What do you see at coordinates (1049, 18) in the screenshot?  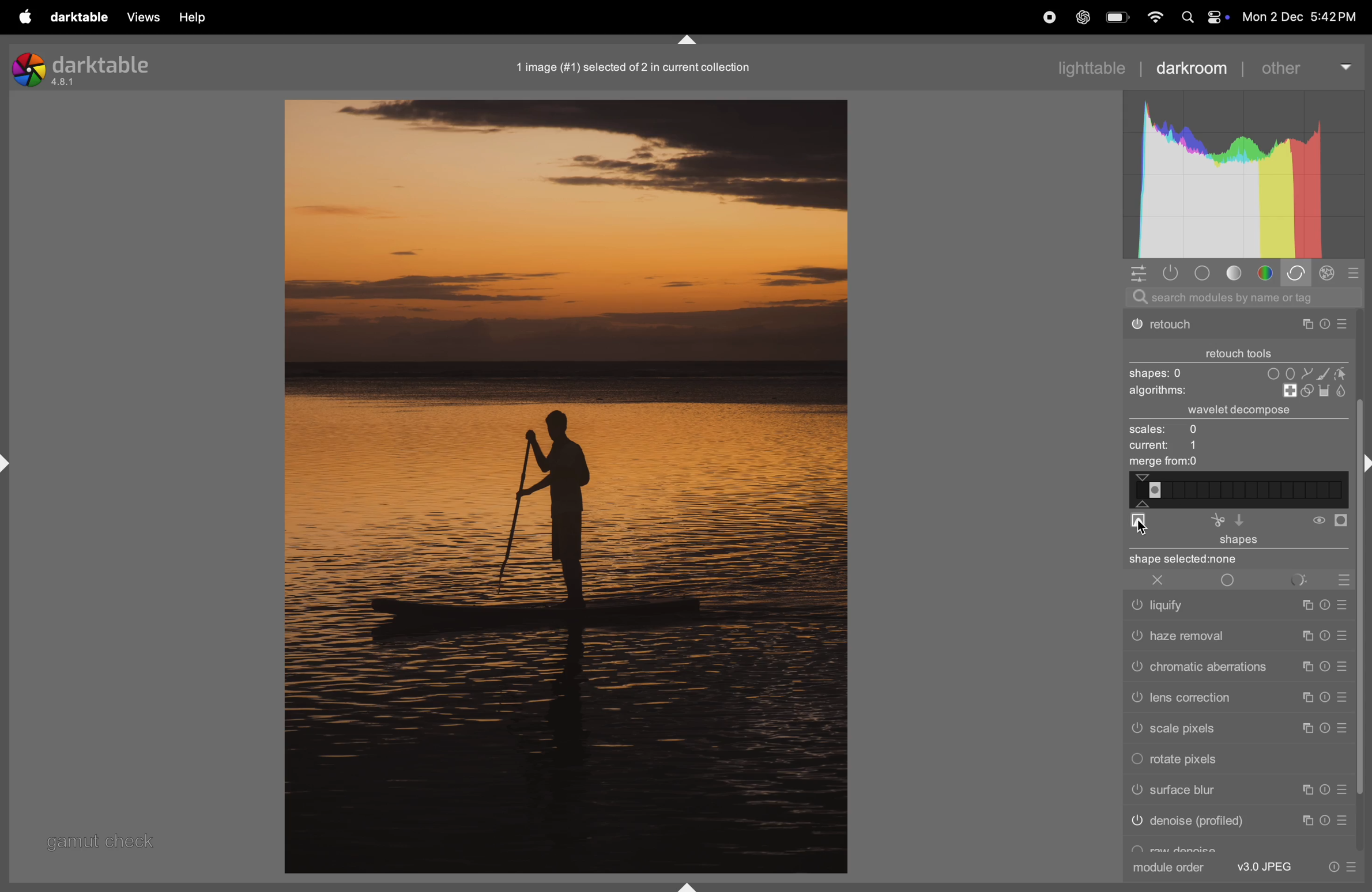 I see `record` at bounding box center [1049, 18].